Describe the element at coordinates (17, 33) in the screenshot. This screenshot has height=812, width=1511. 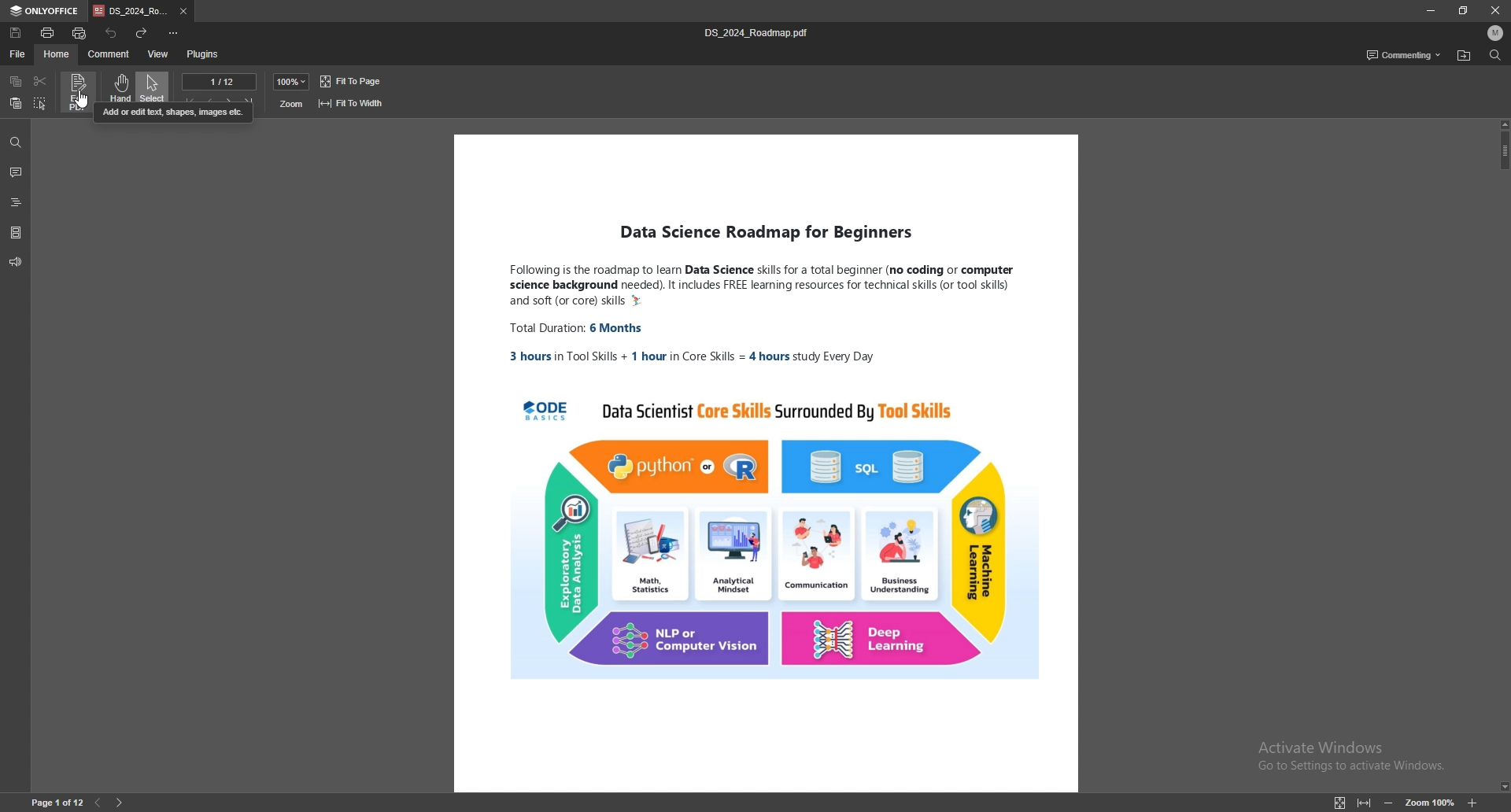
I see `save` at that location.